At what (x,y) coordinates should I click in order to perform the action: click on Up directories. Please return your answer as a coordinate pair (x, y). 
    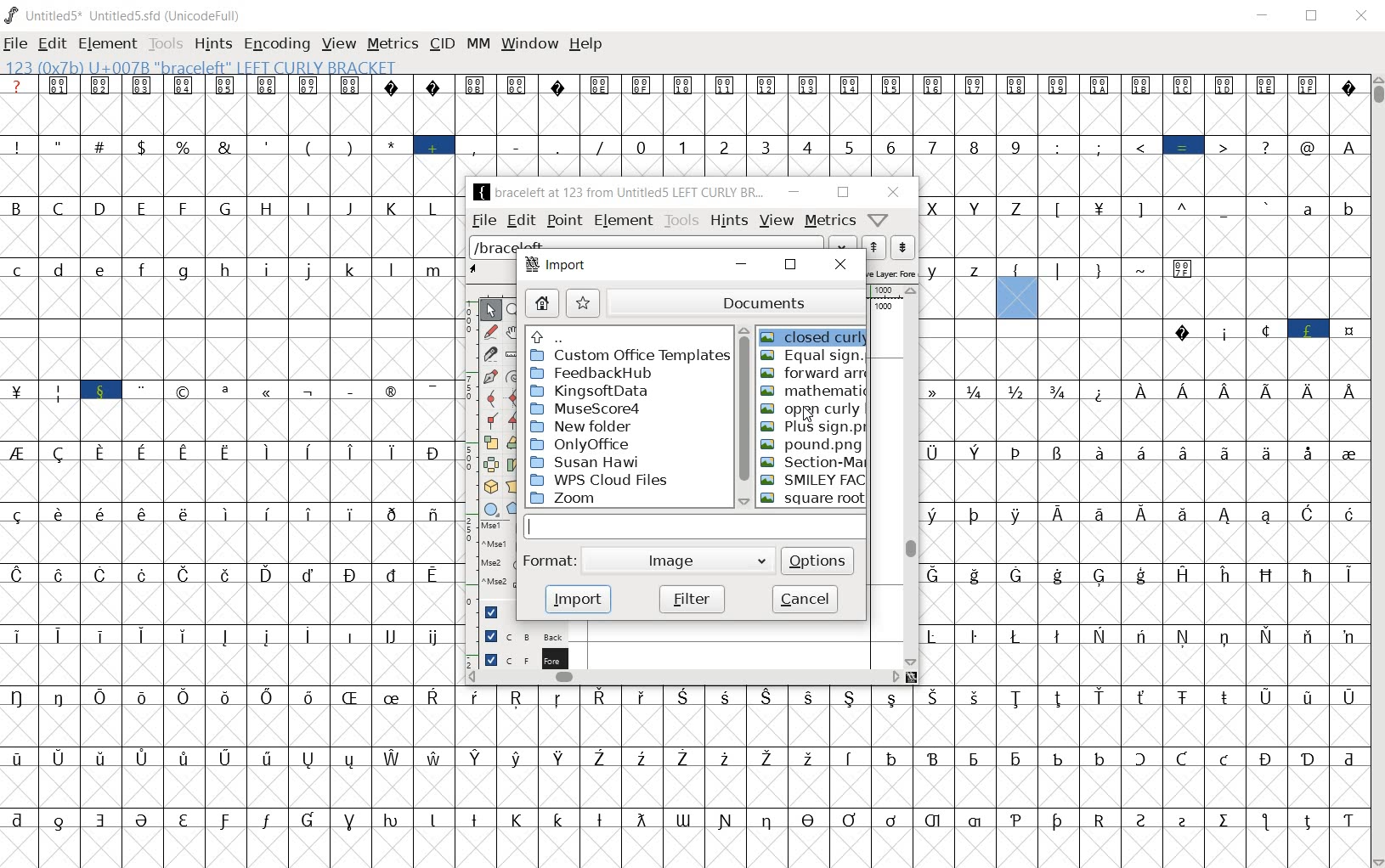
    Looking at the image, I should click on (628, 335).